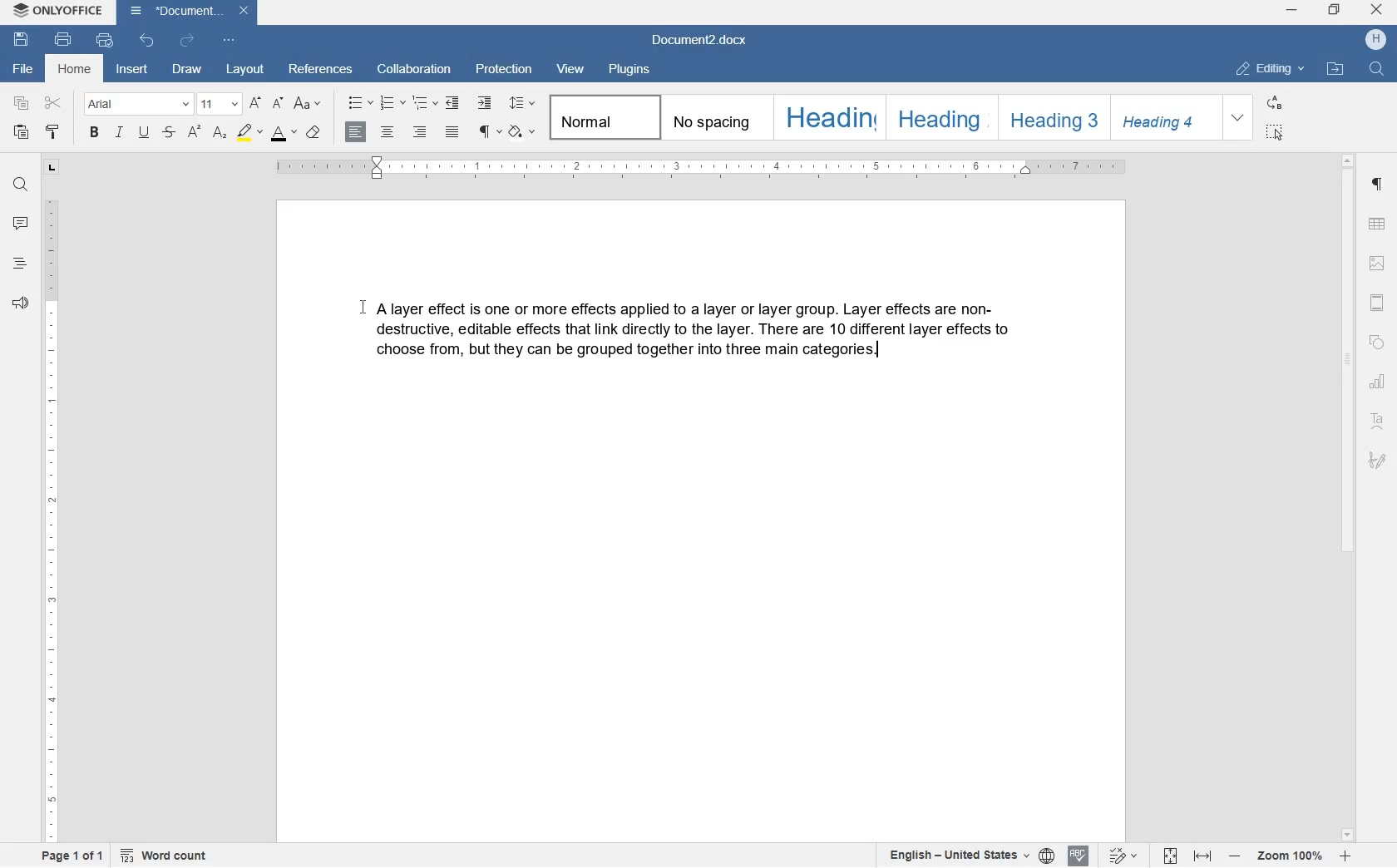  What do you see at coordinates (309, 104) in the screenshot?
I see `change case` at bounding box center [309, 104].